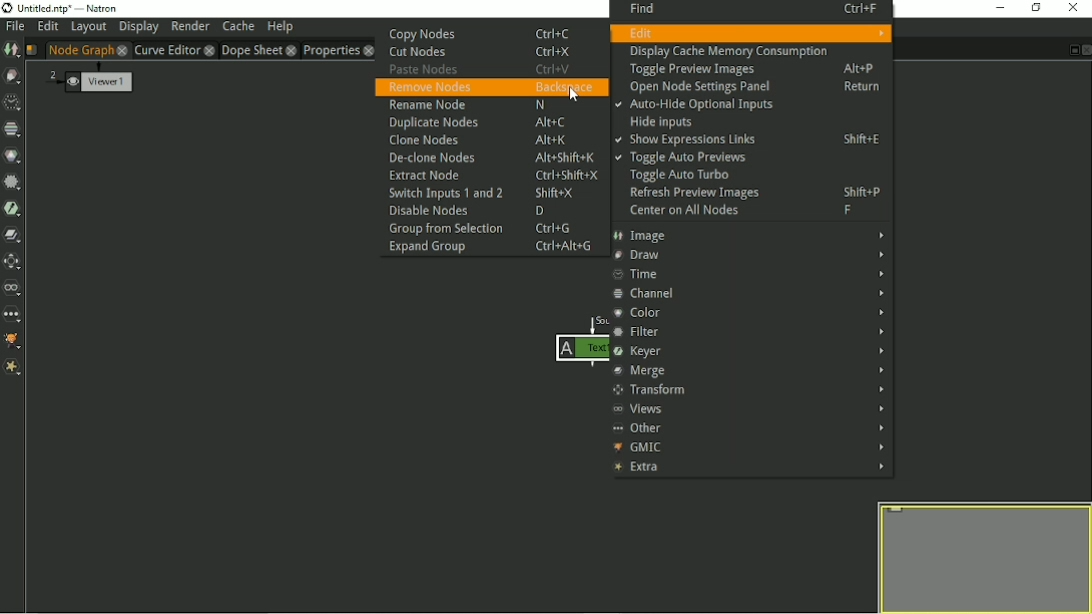 Image resolution: width=1092 pixels, height=614 pixels. I want to click on Auto-Hide Optional Inputs, so click(694, 105).